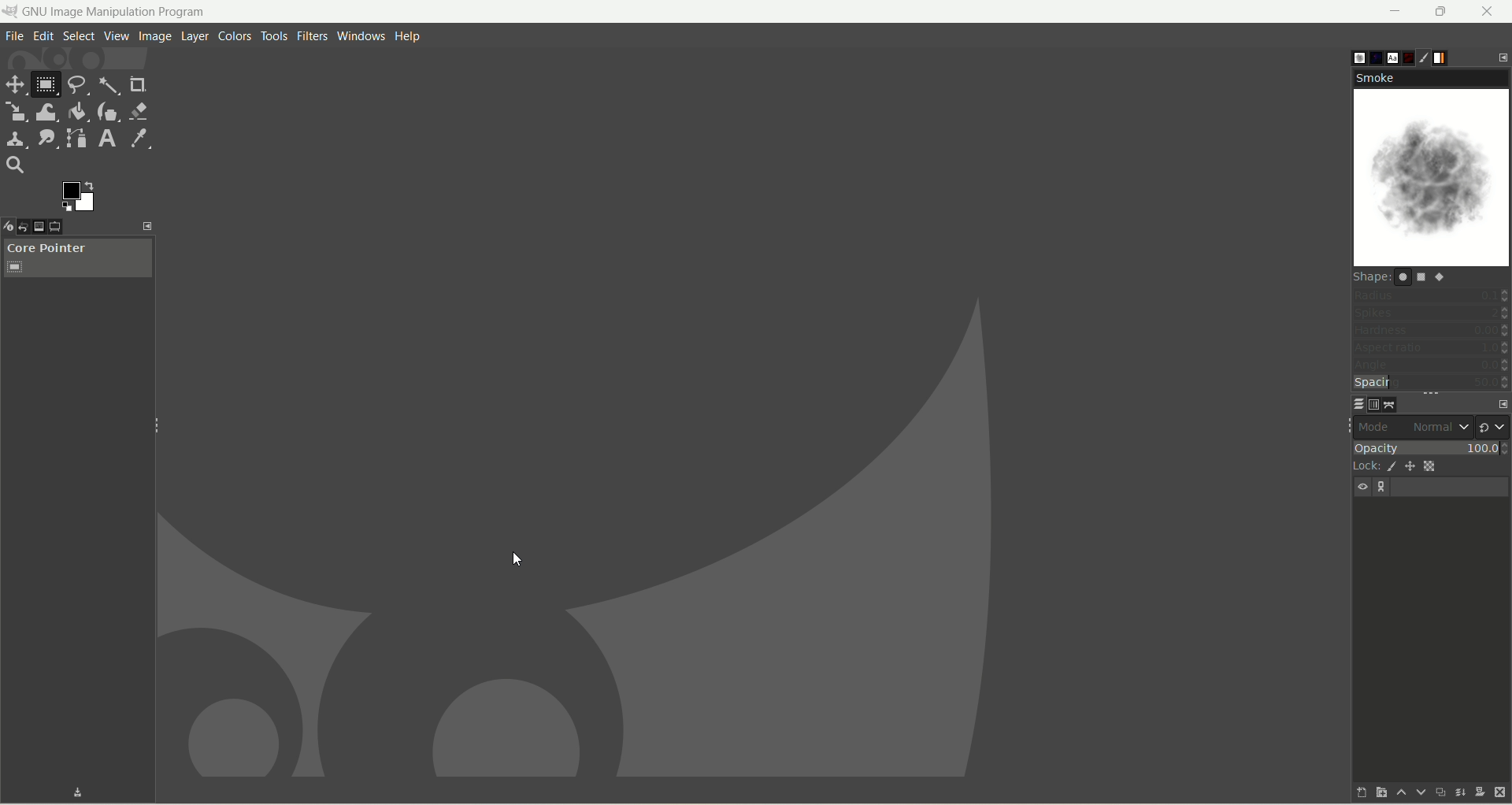 Image resolution: width=1512 pixels, height=805 pixels. I want to click on normal, so click(1439, 427).